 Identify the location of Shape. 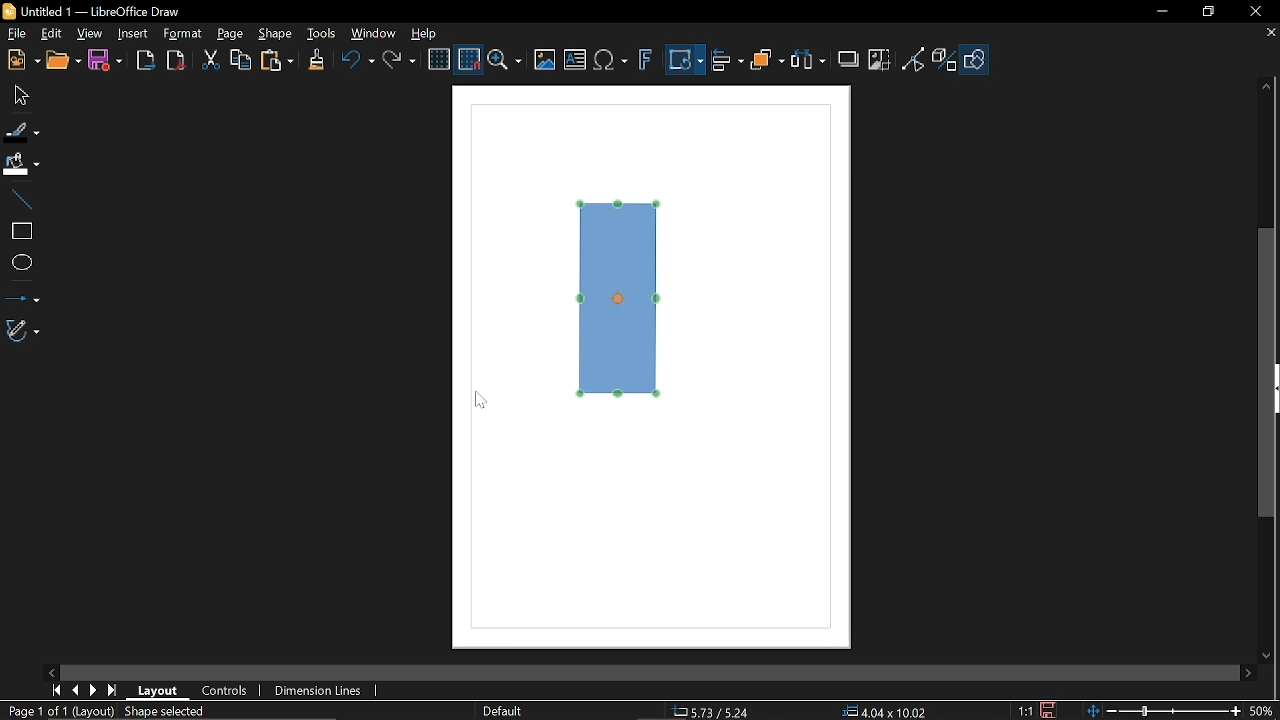
(977, 63).